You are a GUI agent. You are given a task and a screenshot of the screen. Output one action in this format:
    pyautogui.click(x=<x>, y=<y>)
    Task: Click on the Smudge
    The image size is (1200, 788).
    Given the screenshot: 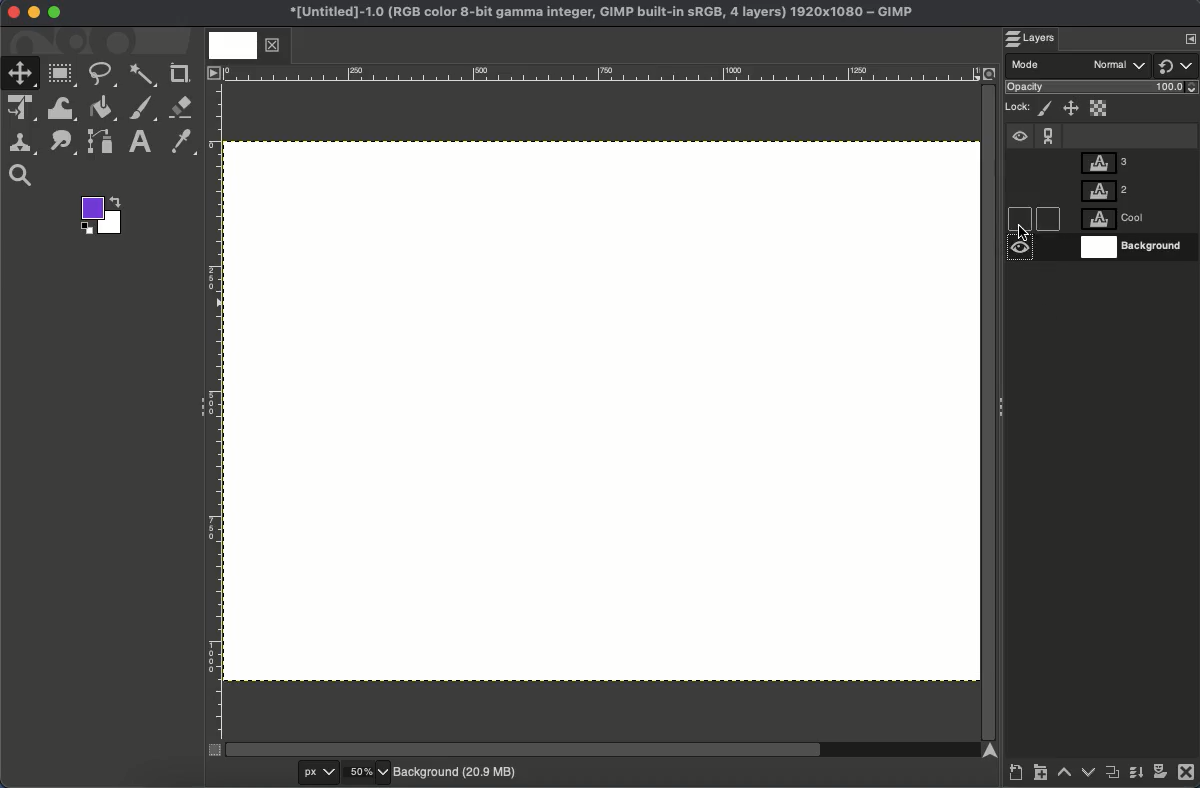 What is the action you would take?
    pyautogui.click(x=61, y=143)
    